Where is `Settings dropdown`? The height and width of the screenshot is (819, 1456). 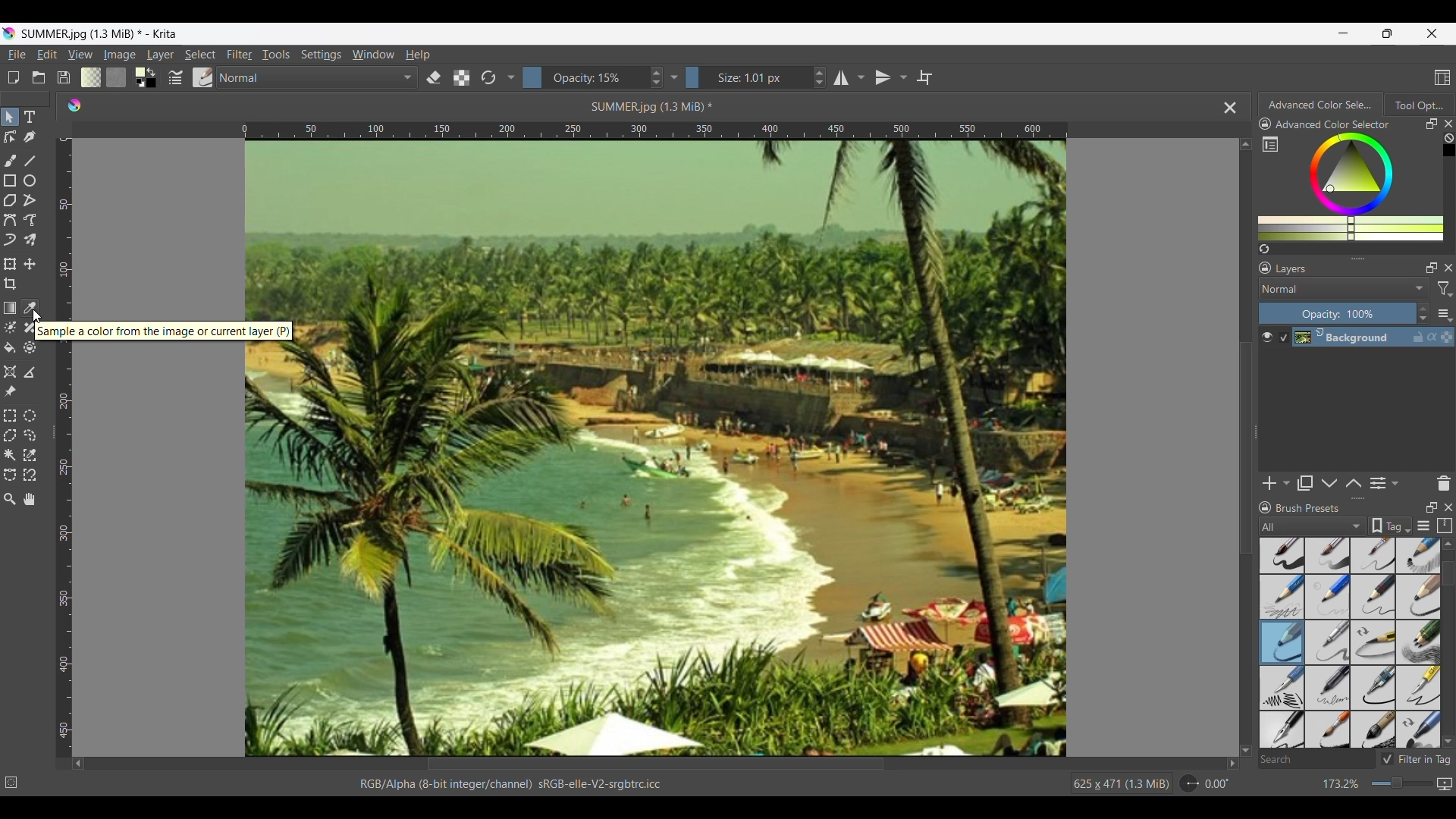 Settings dropdown is located at coordinates (674, 77).